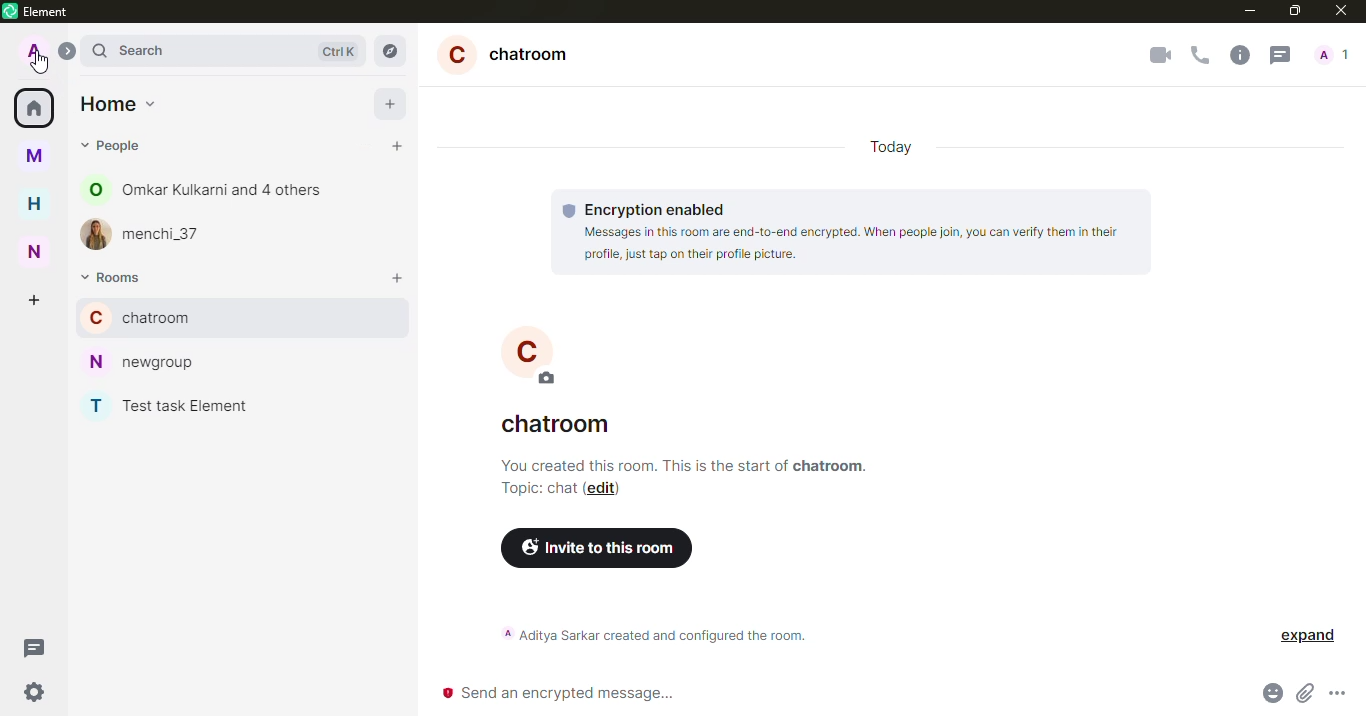 The height and width of the screenshot is (716, 1366). Describe the element at coordinates (655, 636) in the screenshot. I see `aditya sarkar created and configured the room` at that location.